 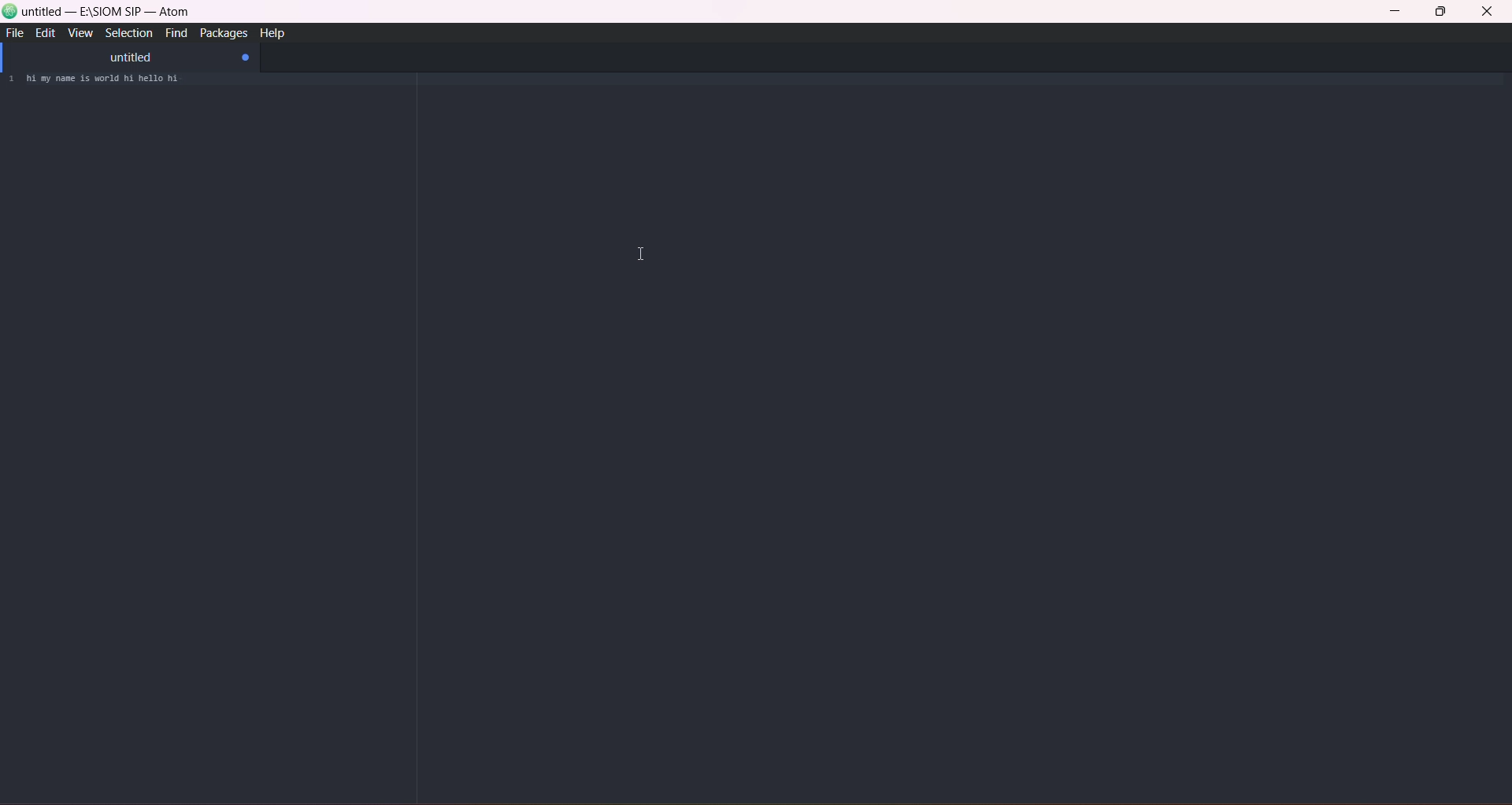 I want to click on untitled, so click(x=129, y=57).